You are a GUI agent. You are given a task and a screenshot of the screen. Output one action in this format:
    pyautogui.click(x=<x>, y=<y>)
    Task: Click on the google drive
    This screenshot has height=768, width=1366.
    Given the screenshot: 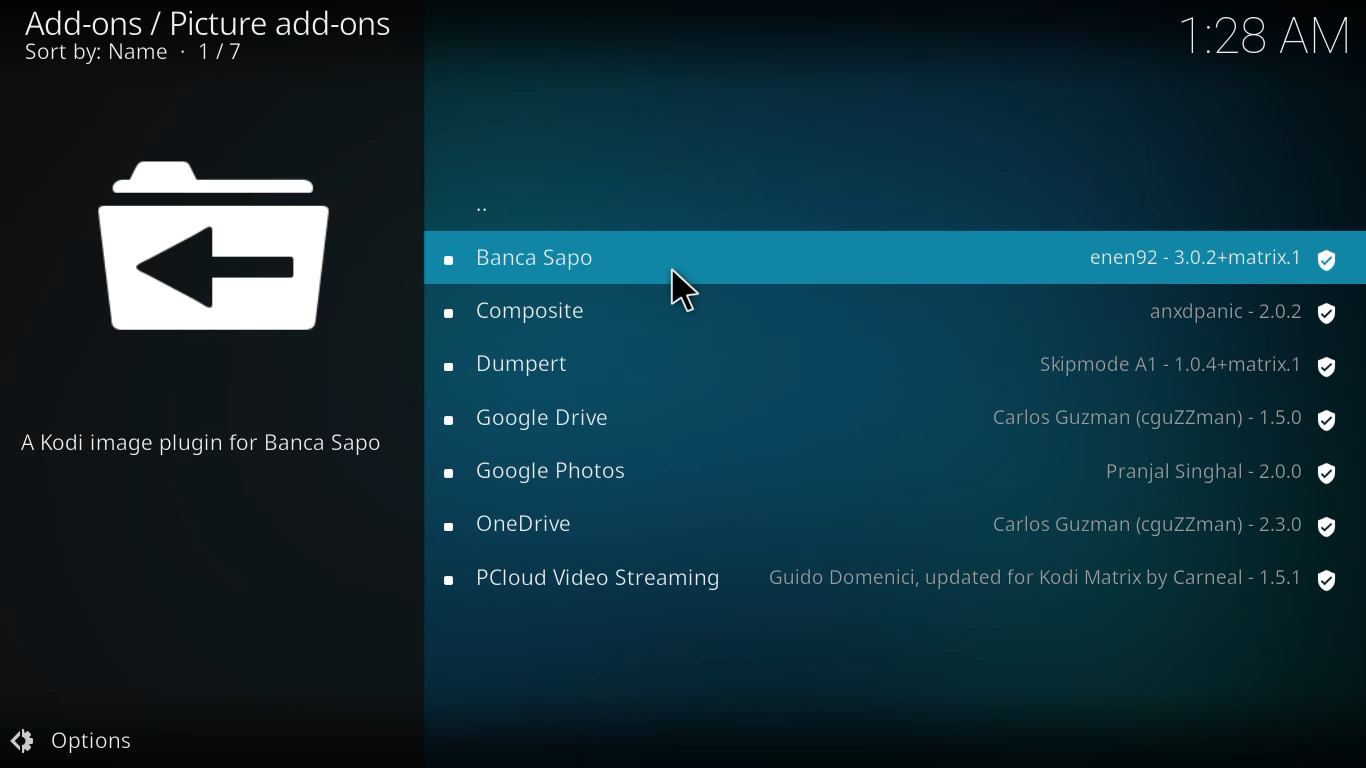 What is the action you would take?
    pyautogui.click(x=535, y=421)
    